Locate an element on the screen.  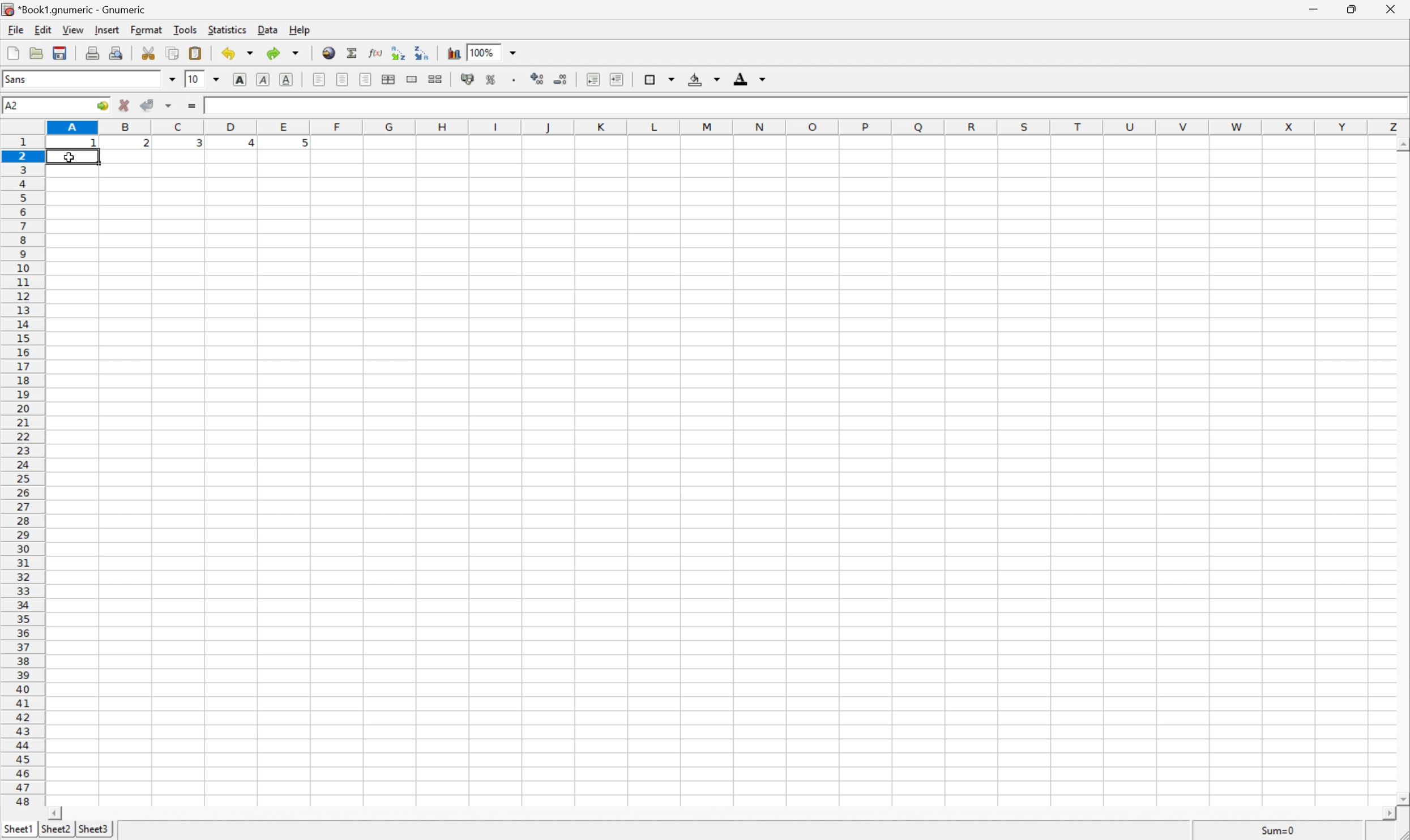
font is located at coordinates (20, 81).